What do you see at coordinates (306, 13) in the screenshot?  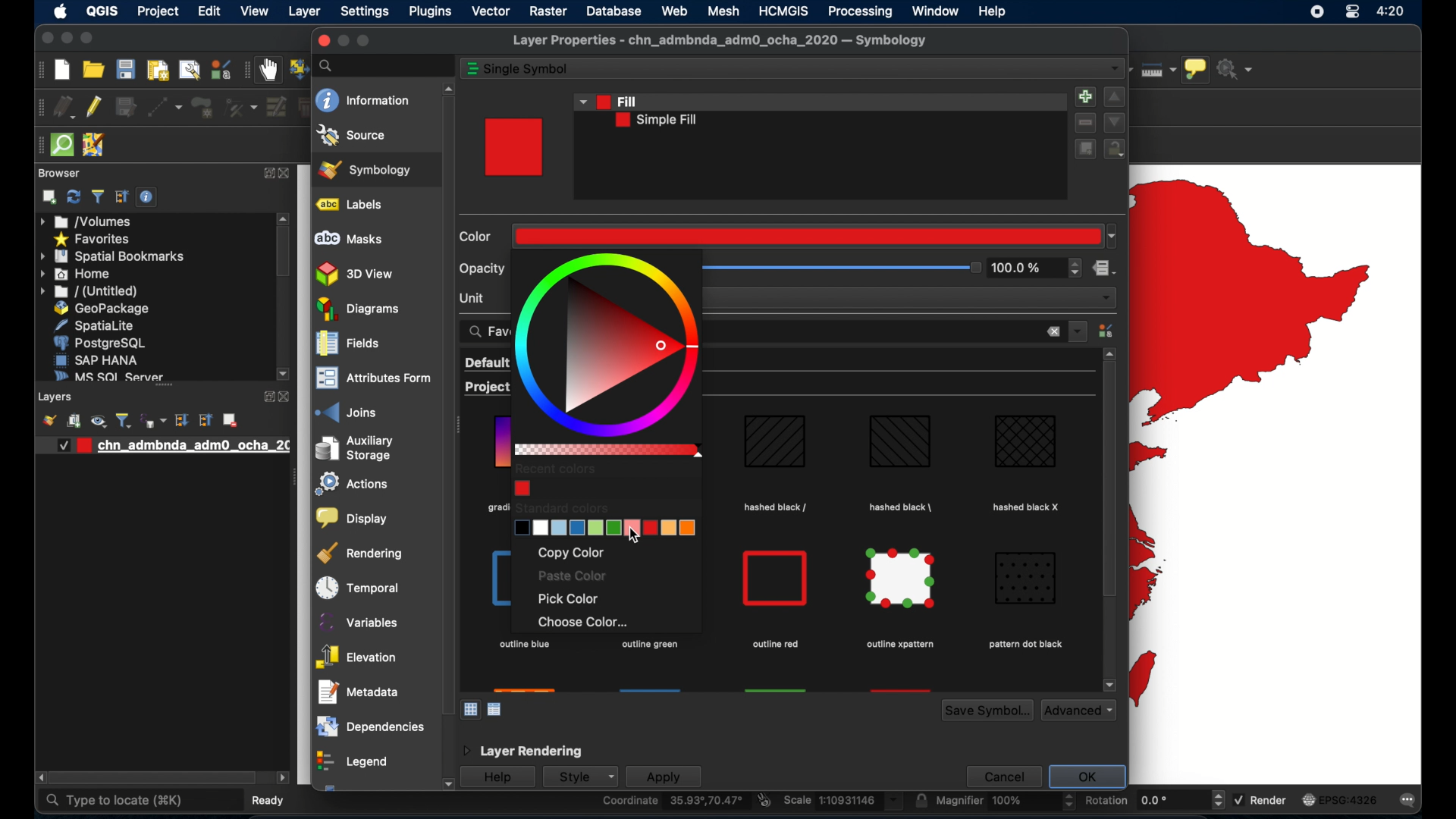 I see `layer` at bounding box center [306, 13].